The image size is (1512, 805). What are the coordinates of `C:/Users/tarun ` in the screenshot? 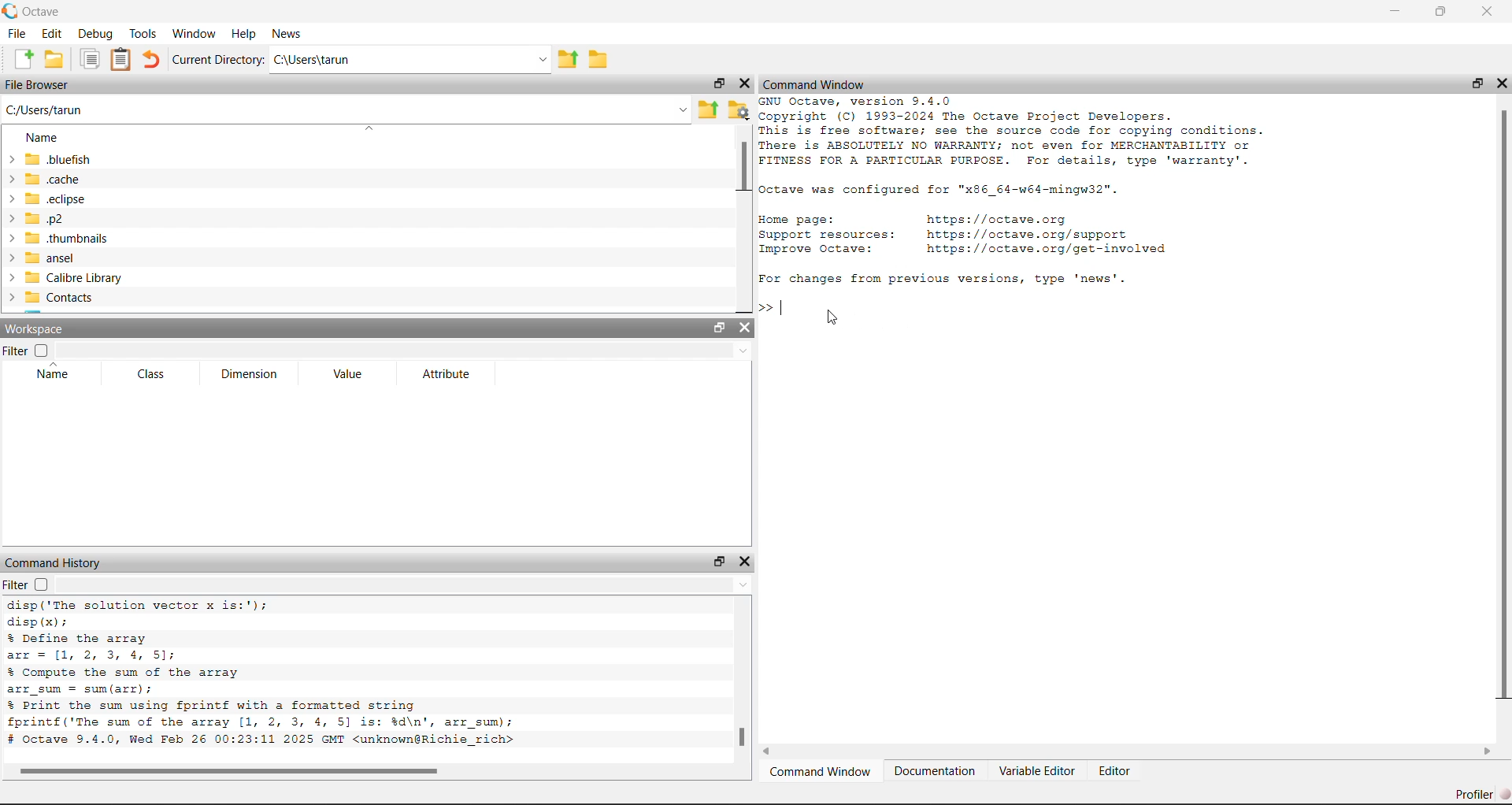 It's located at (346, 109).